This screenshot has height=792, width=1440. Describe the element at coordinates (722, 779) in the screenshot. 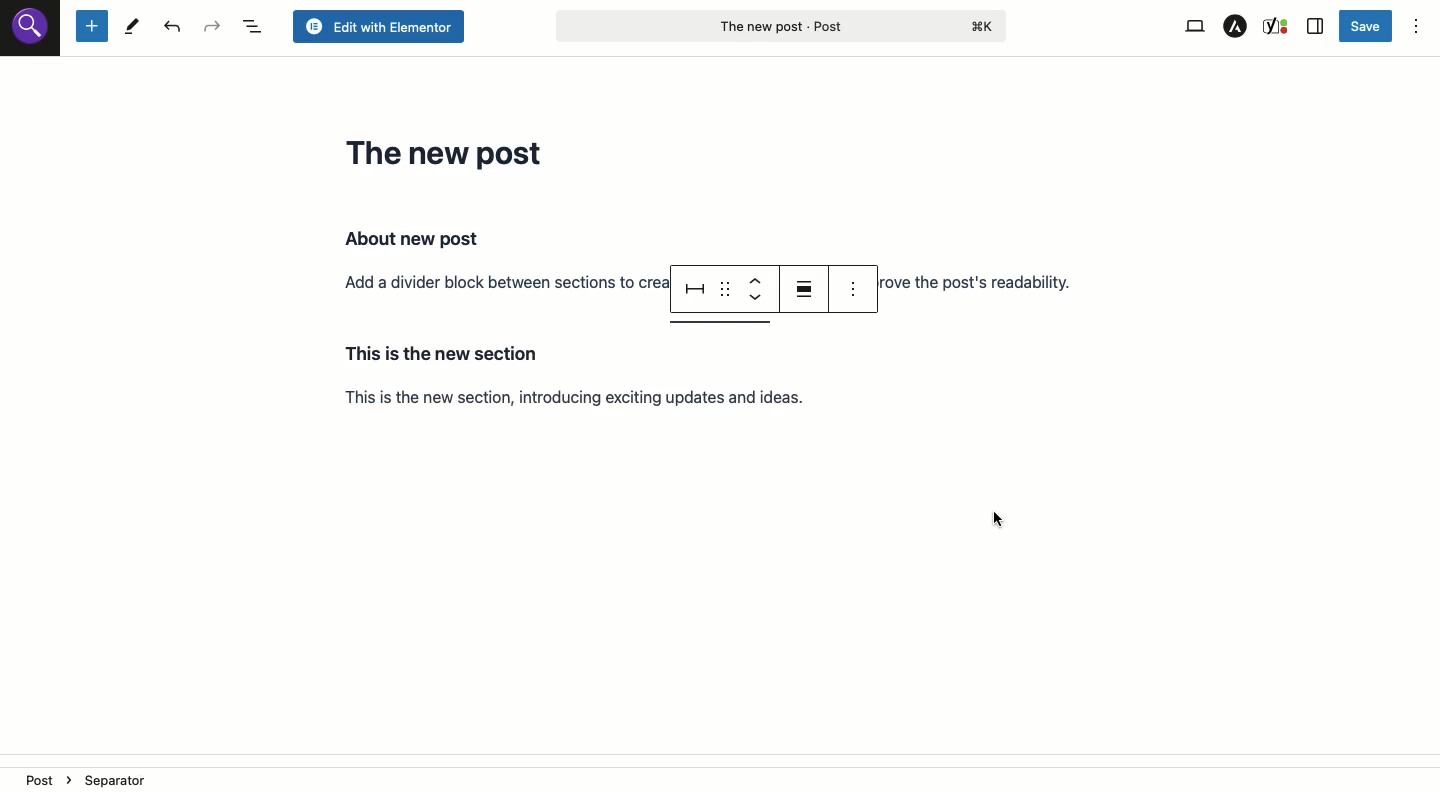

I see `Location` at that location.